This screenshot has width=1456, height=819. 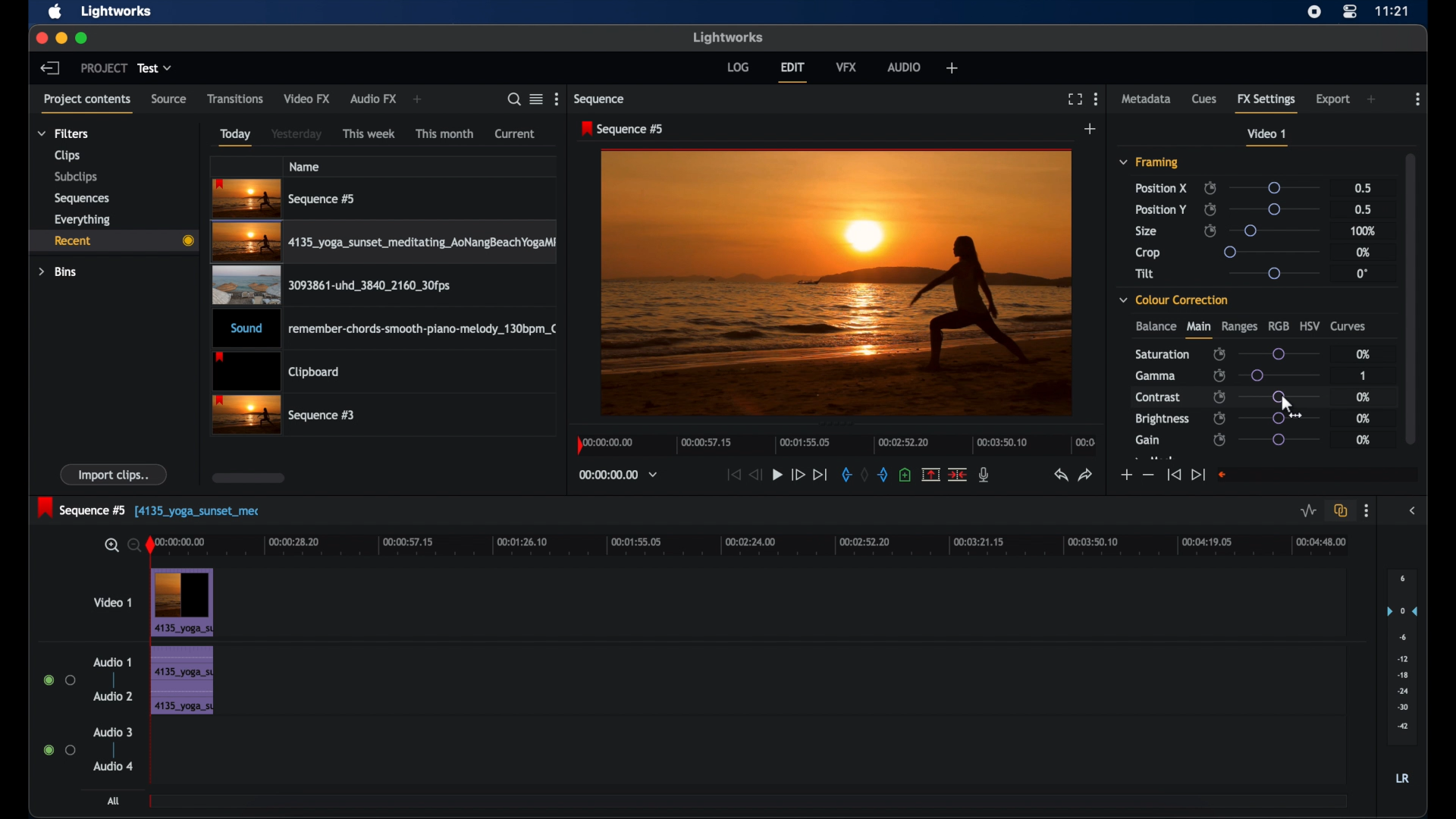 I want to click on zoom, so click(x=118, y=546).